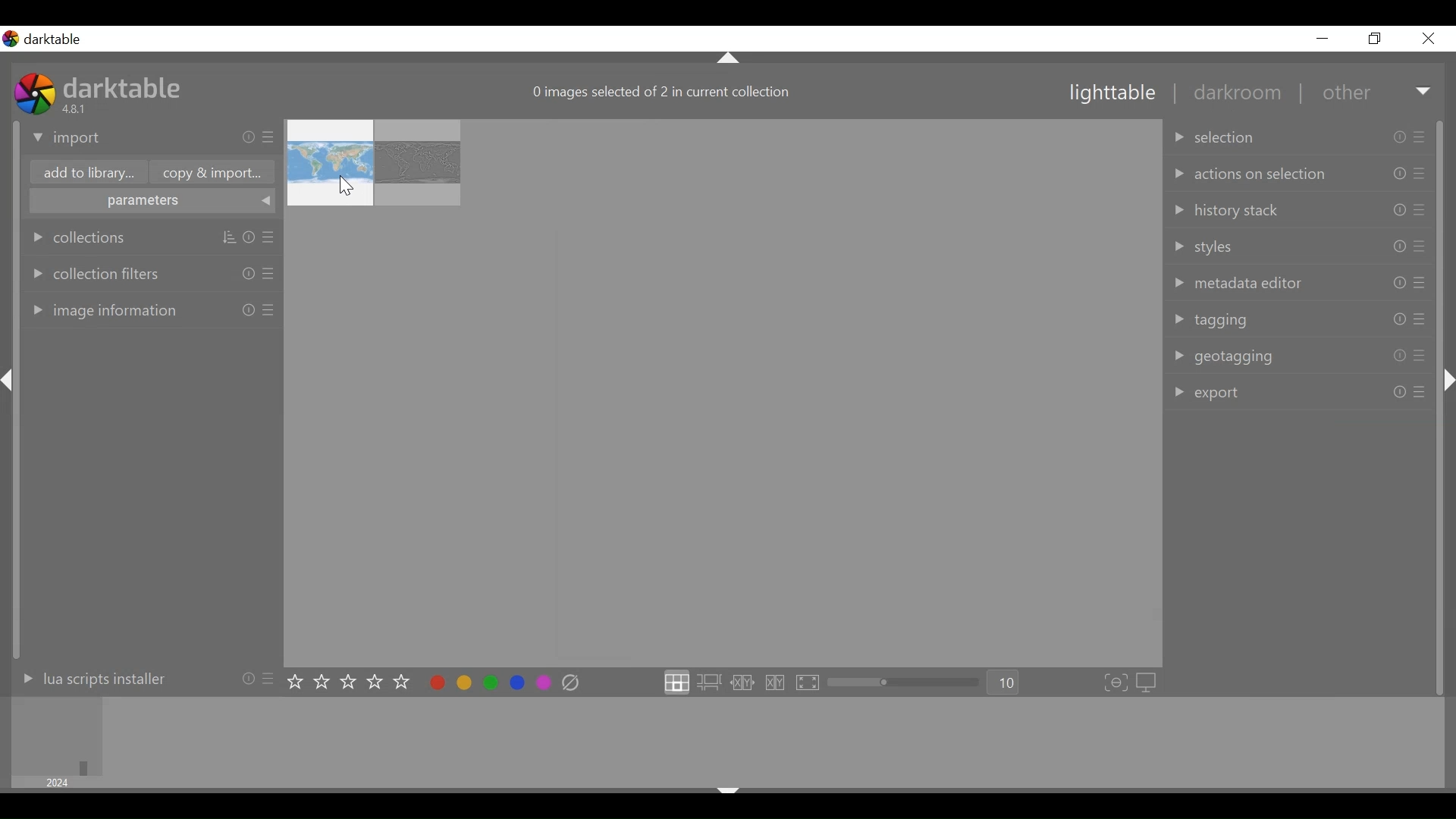 The height and width of the screenshot is (819, 1456). Describe the element at coordinates (1345, 93) in the screenshot. I see `other` at that location.